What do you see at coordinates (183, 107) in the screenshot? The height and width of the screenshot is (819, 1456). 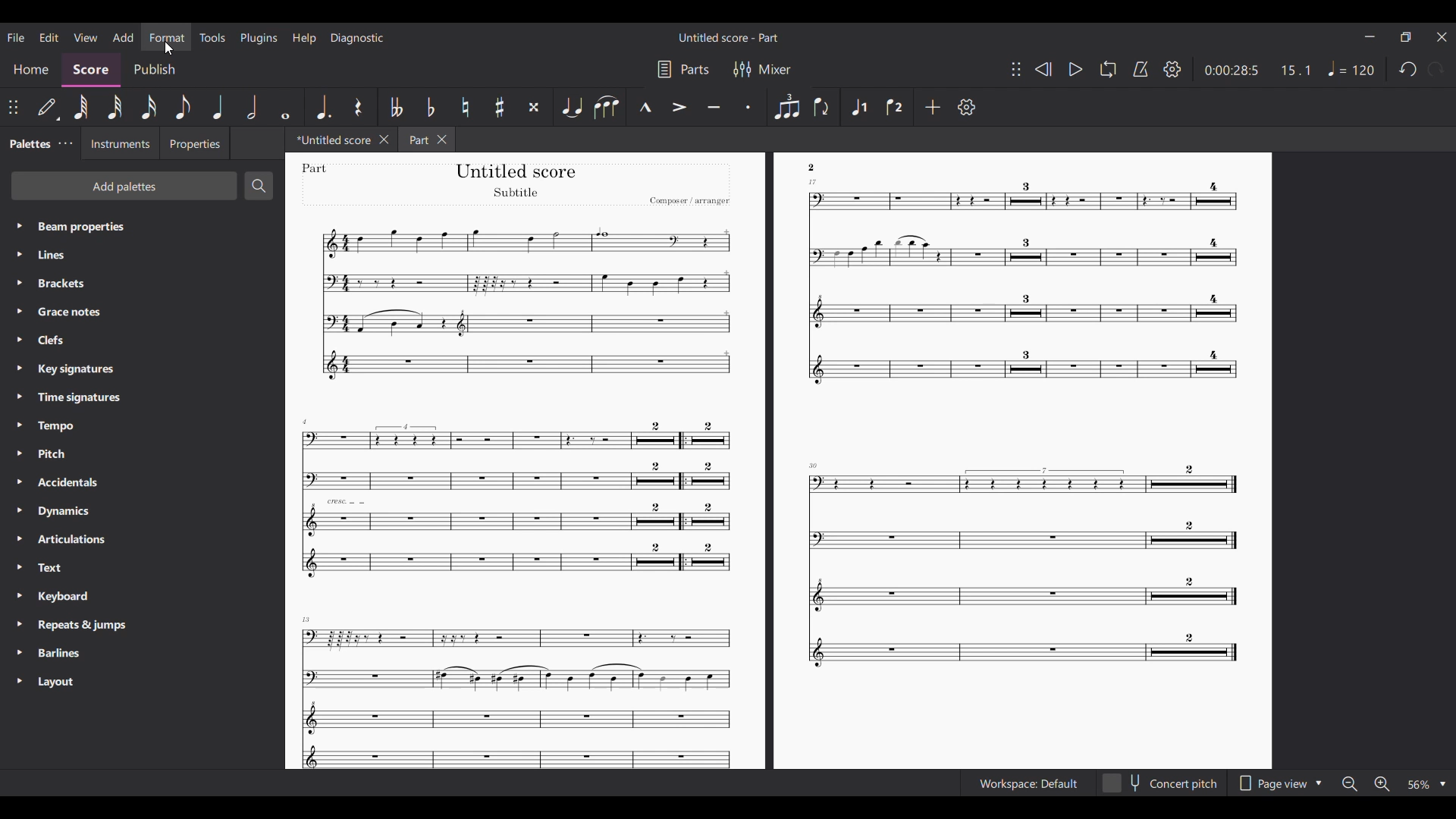 I see `8th note` at bounding box center [183, 107].